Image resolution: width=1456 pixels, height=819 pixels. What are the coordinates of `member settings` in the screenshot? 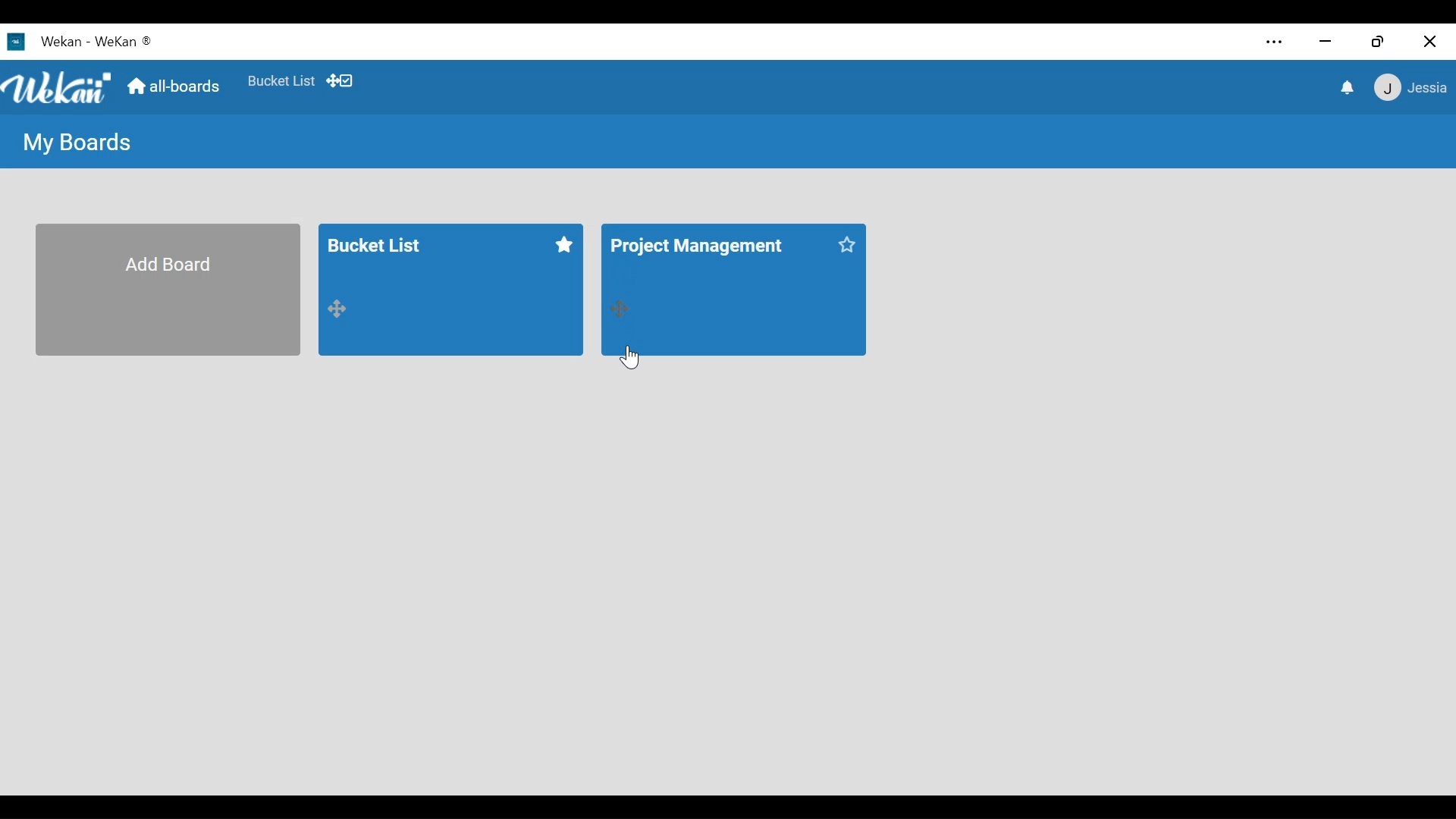 It's located at (1410, 85).